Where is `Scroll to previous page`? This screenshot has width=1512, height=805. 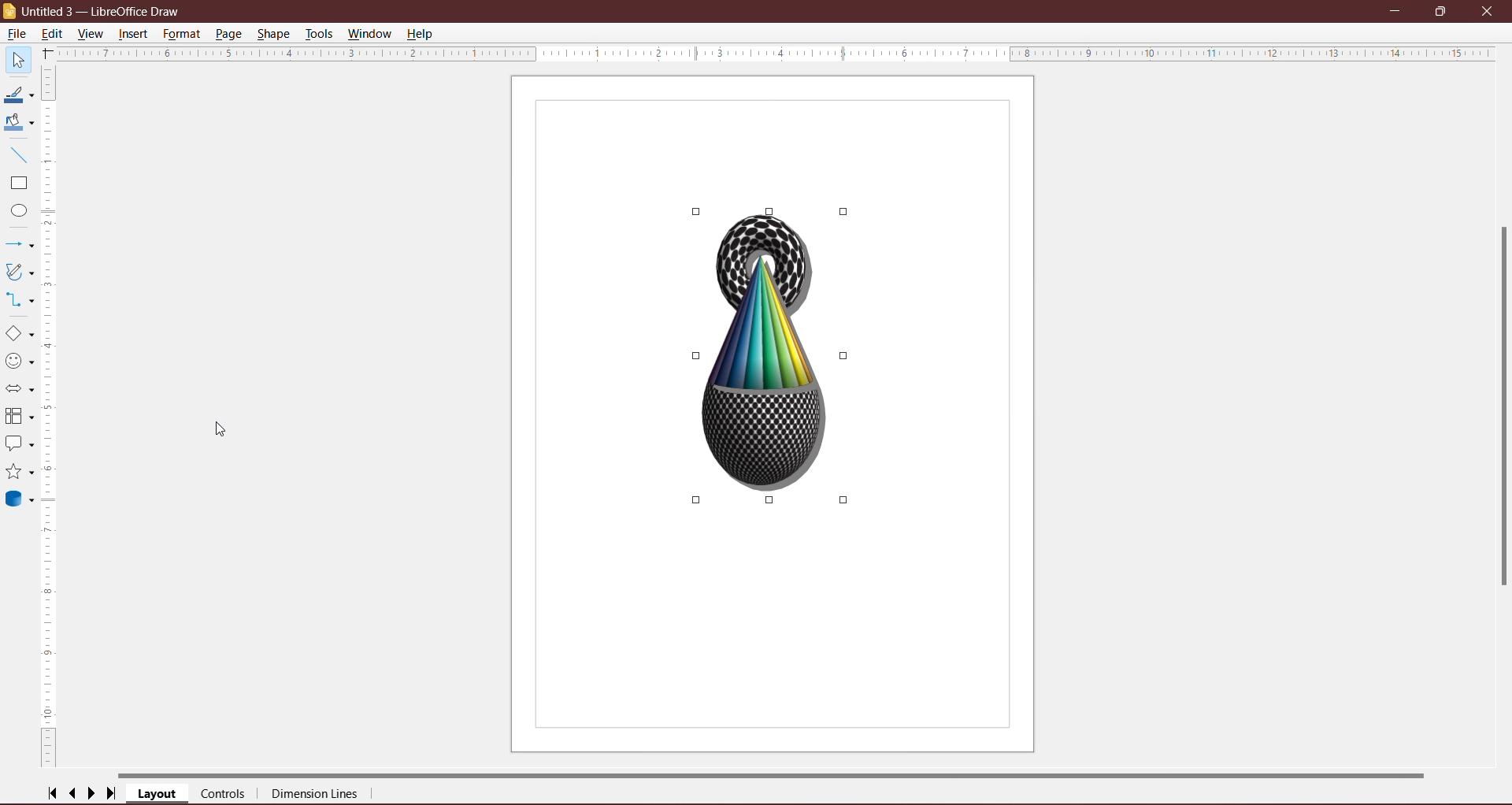 Scroll to previous page is located at coordinates (73, 793).